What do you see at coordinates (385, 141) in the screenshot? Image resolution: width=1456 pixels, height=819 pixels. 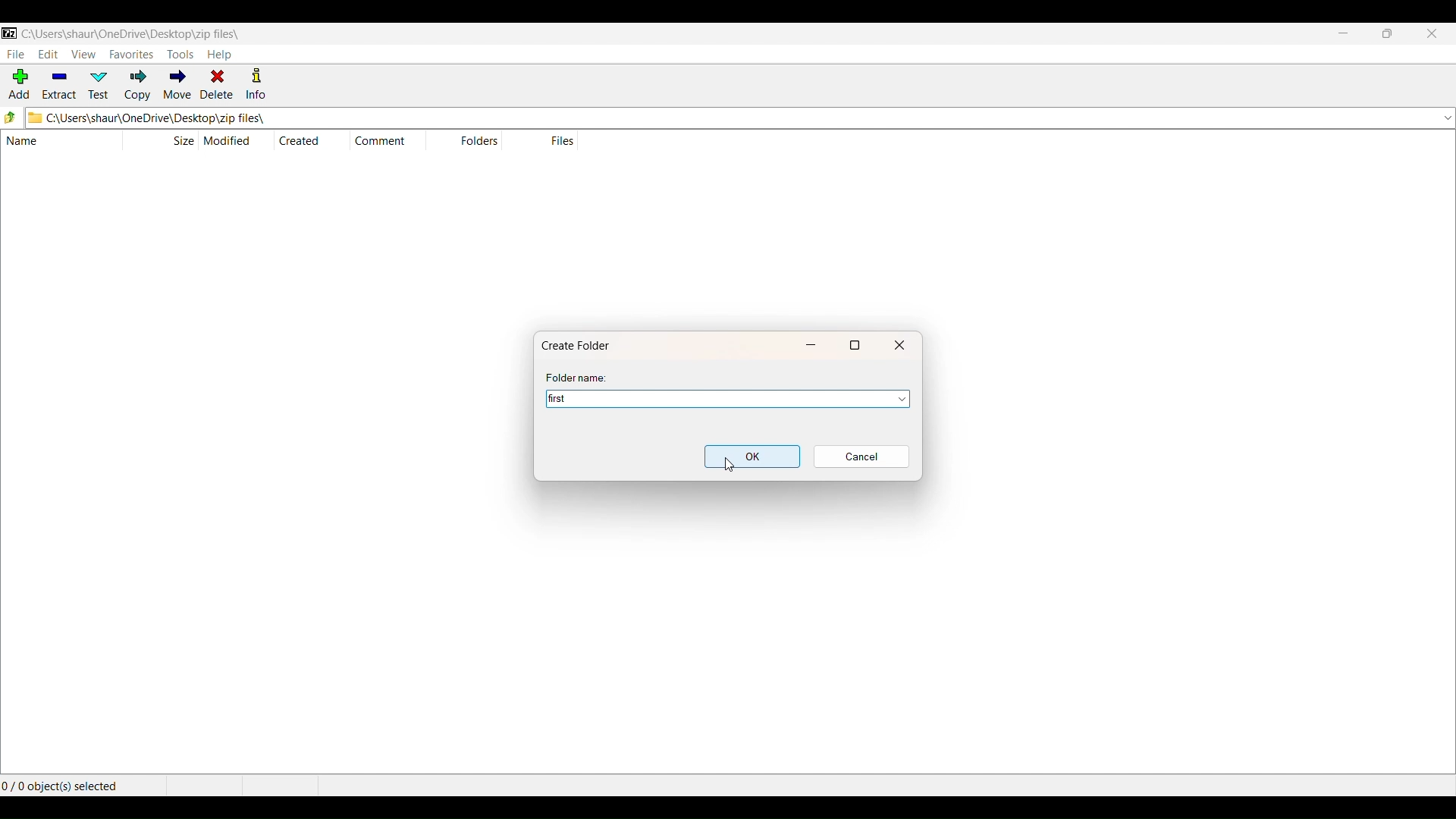 I see `COMMENT` at bounding box center [385, 141].